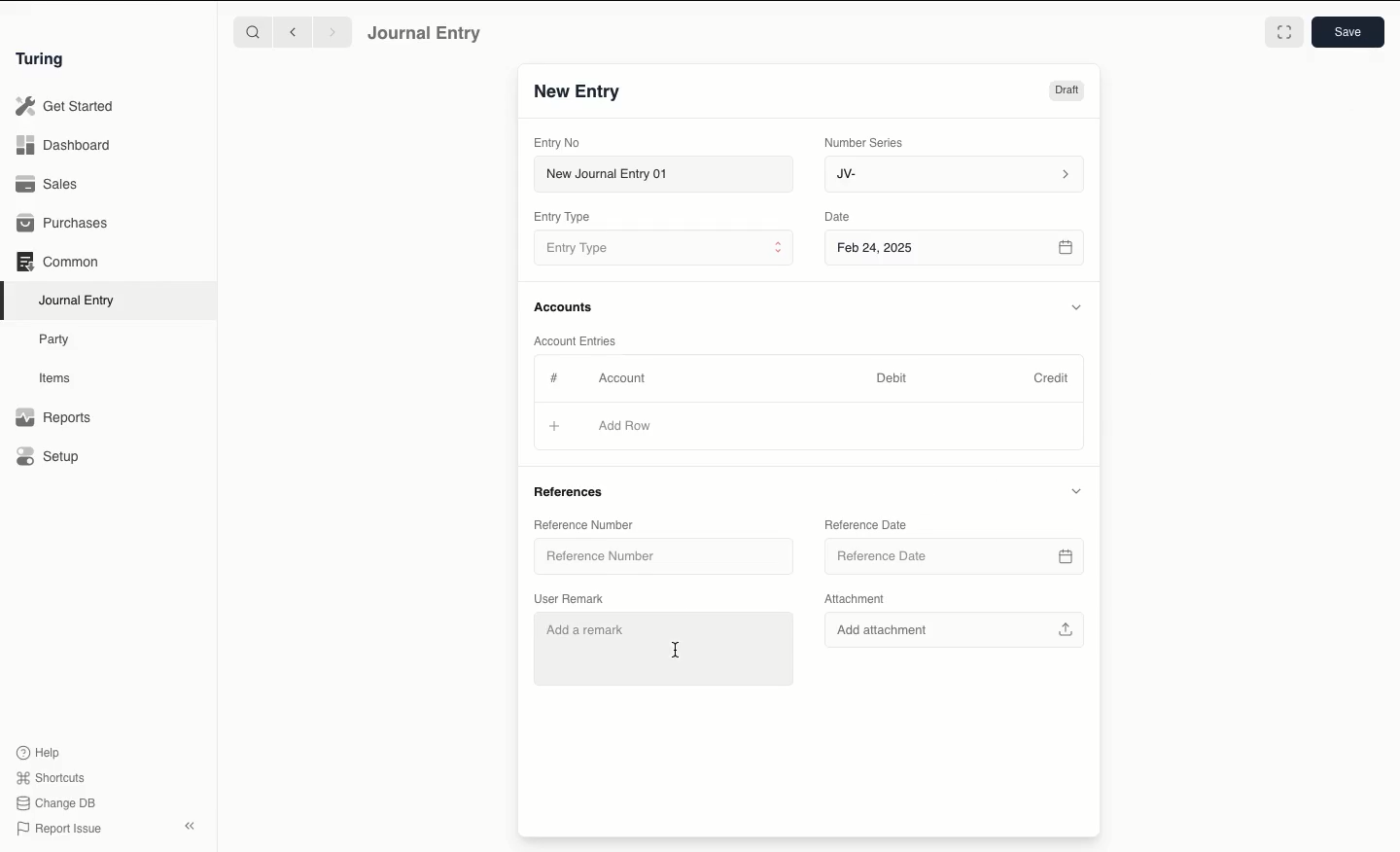 This screenshot has height=852, width=1400. Describe the element at coordinates (867, 143) in the screenshot. I see `Number Series` at that location.